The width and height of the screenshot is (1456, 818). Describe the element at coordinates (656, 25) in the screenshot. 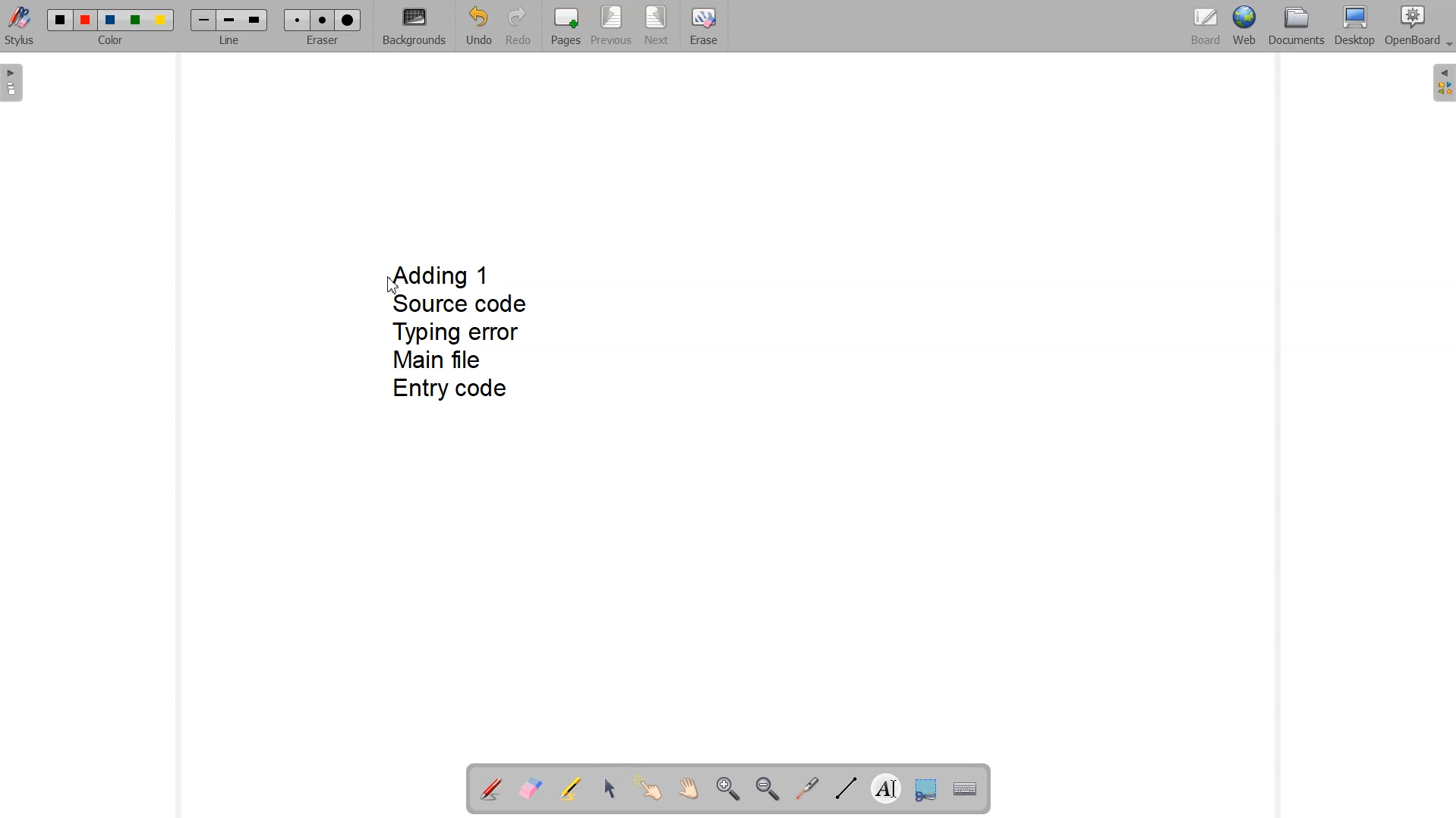

I see `Next` at that location.